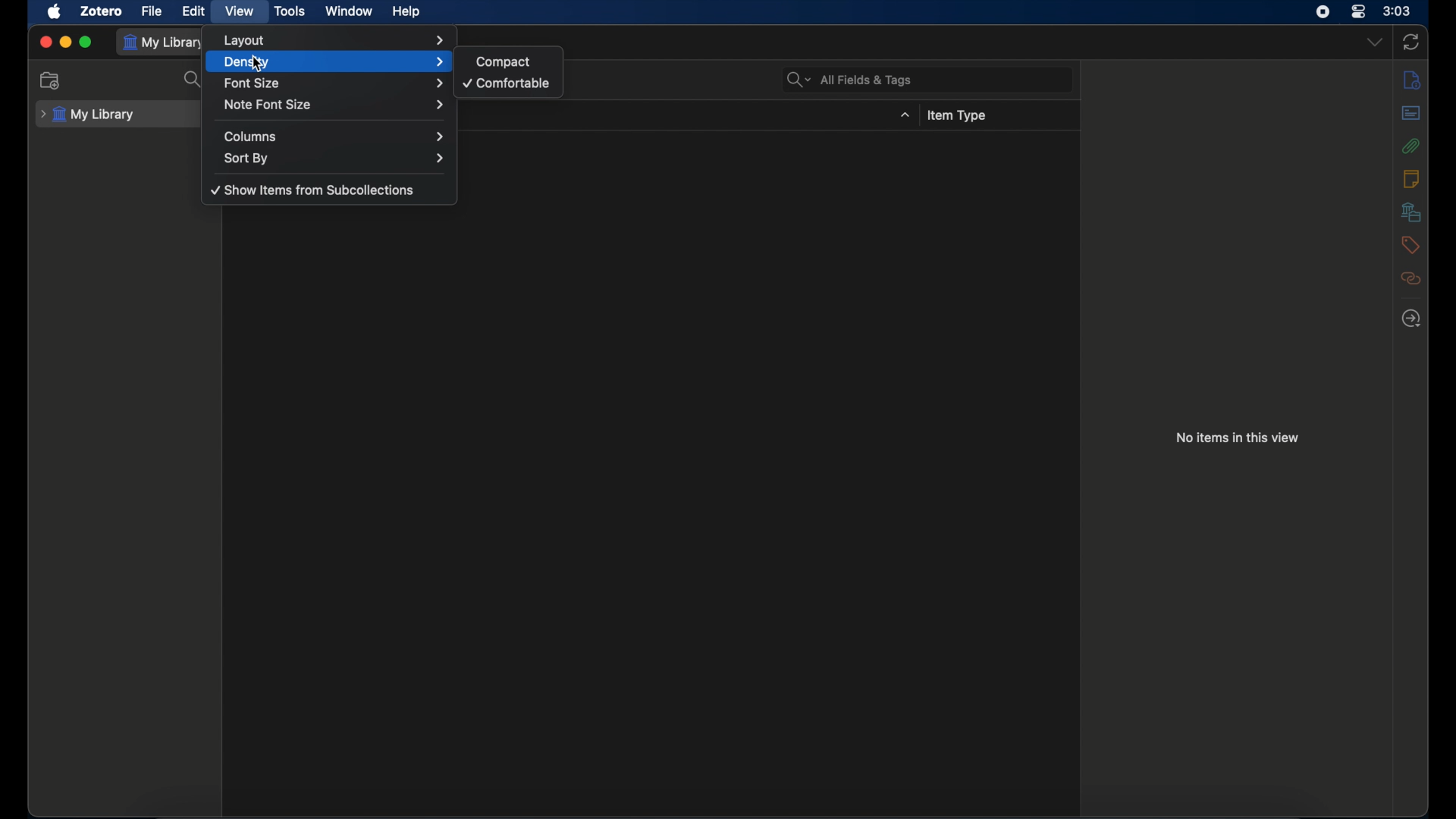 The height and width of the screenshot is (819, 1456). I want to click on font size, so click(336, 84).